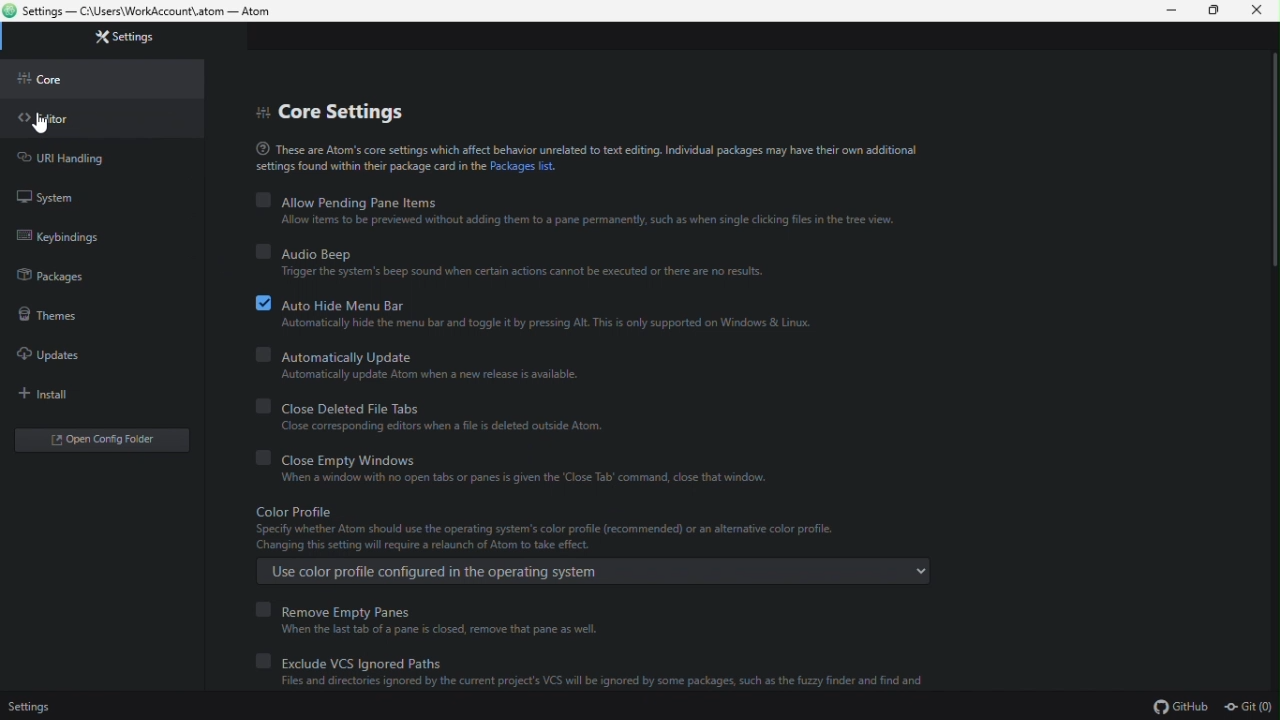 The image size is (1280, 720). What do you see at coordinates (535, 302) in the screenshot?
I see `Auto hide menu bar` at bounding box center [535, 302].